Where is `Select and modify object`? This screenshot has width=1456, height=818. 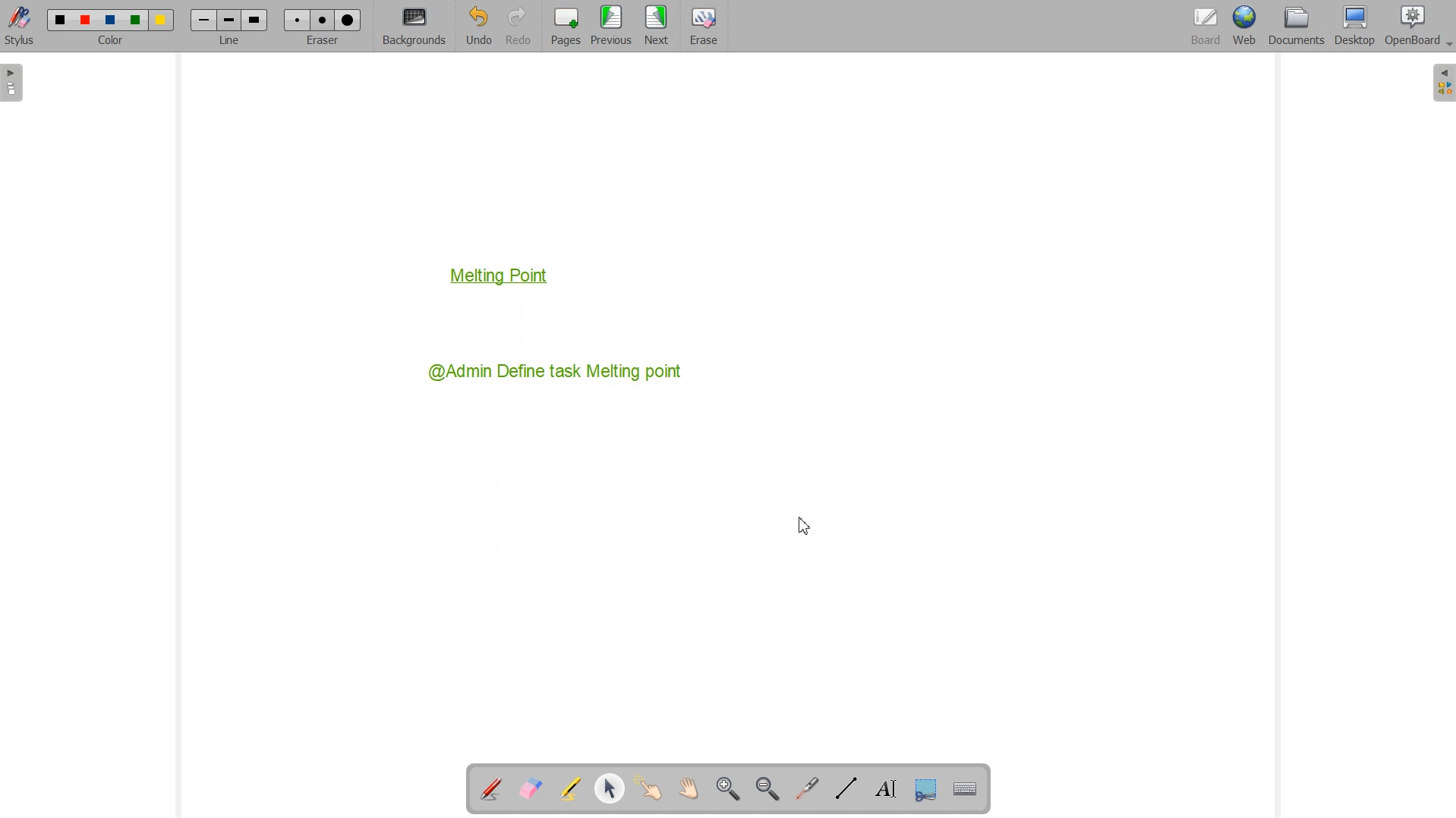 Select and modify object is located at coordinates (610, 789).